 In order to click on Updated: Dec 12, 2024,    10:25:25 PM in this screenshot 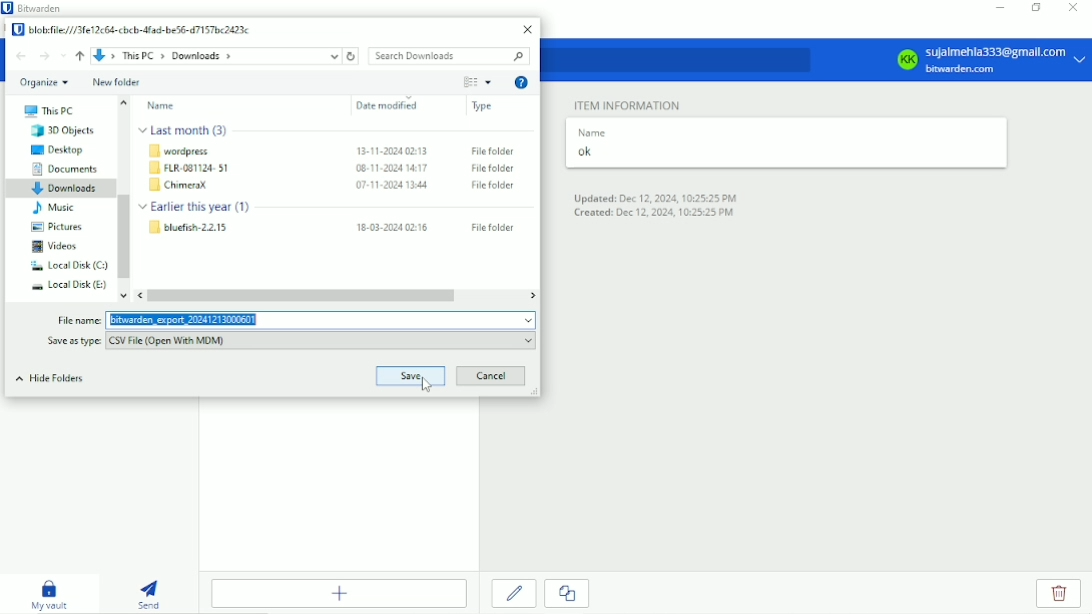, I will do `click(659, 197)`.